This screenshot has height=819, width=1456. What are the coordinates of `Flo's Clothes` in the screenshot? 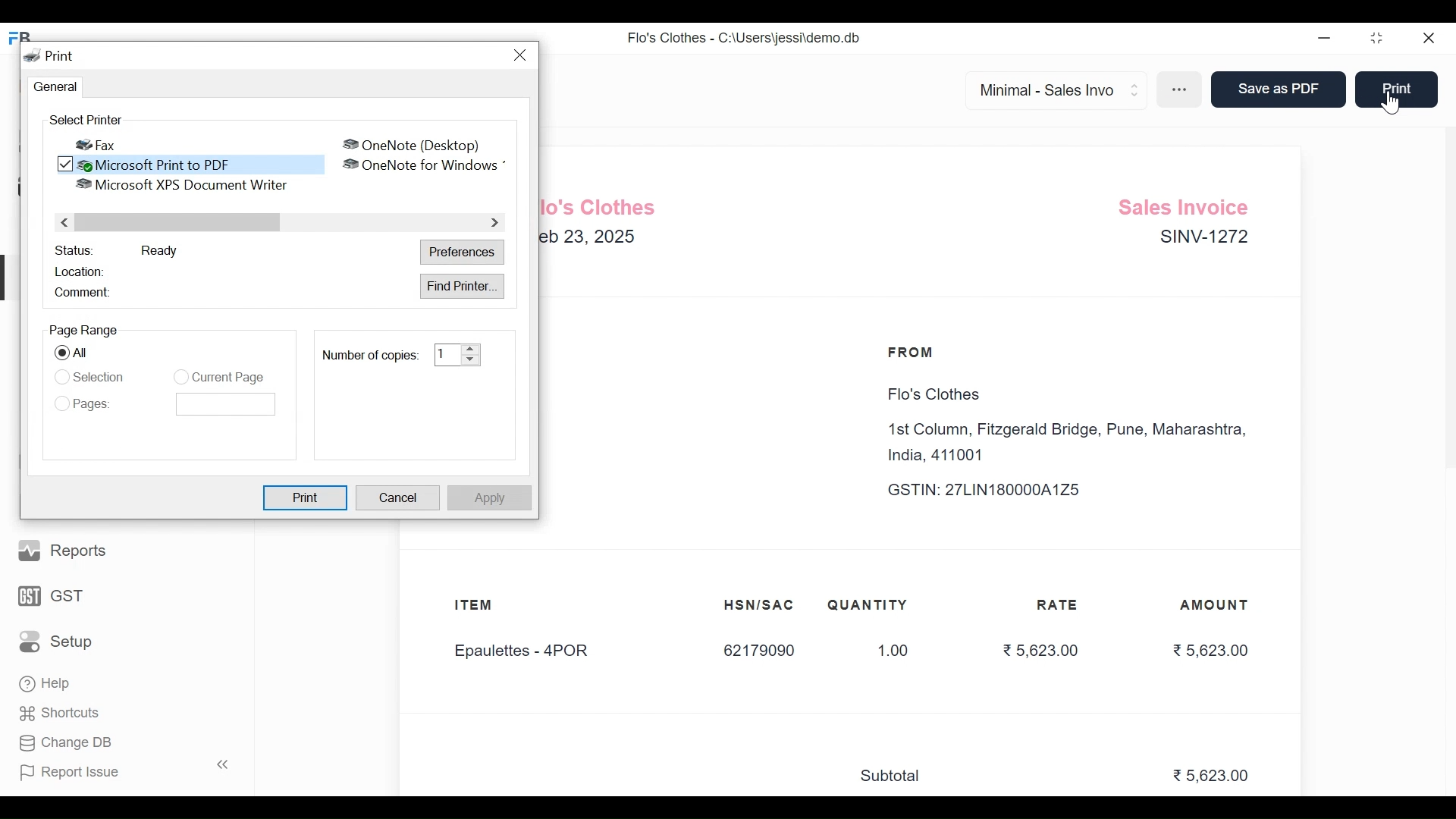 It's located at (930, 395).